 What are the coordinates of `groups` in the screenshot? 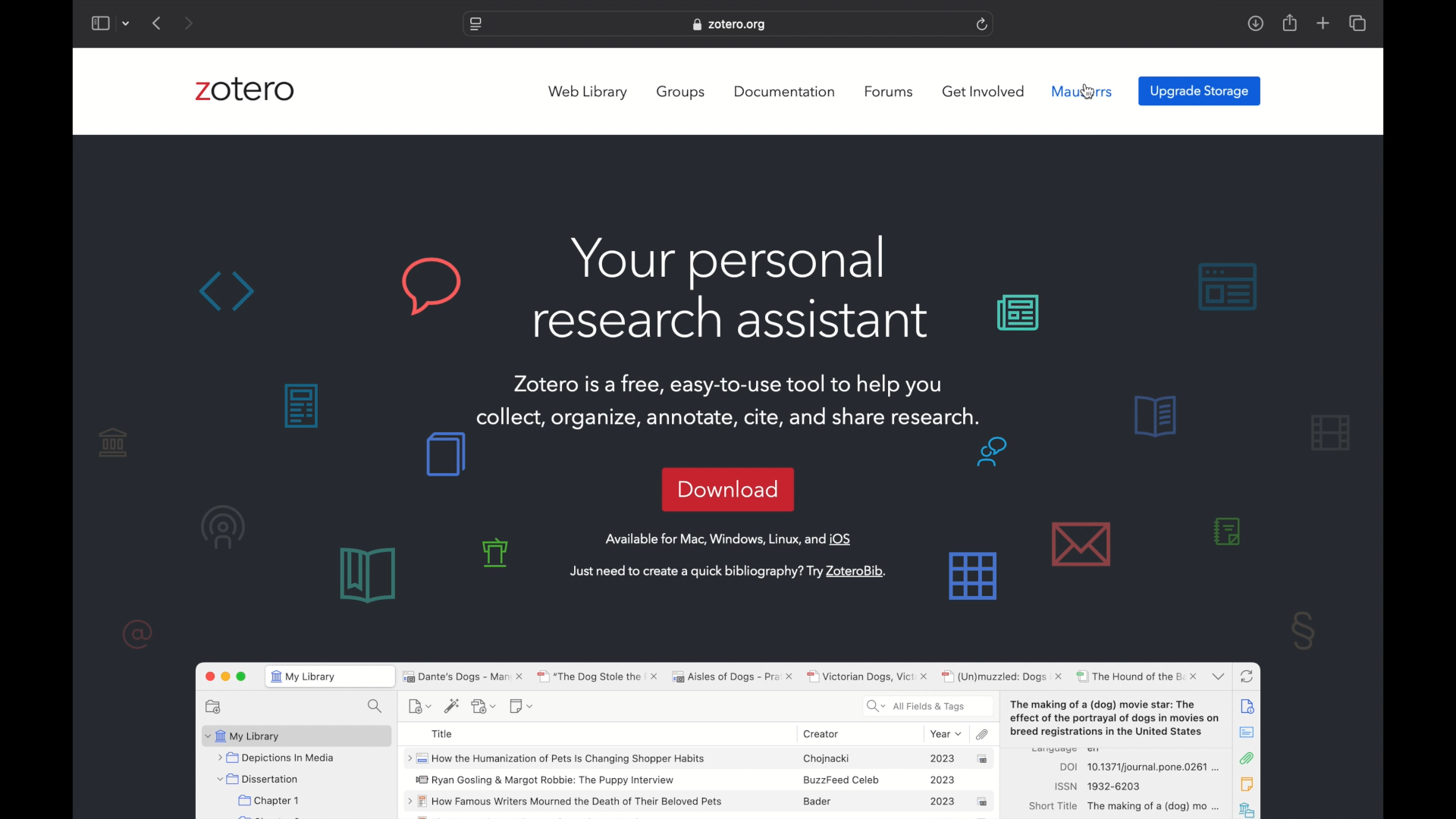 It's located at (682, 92).